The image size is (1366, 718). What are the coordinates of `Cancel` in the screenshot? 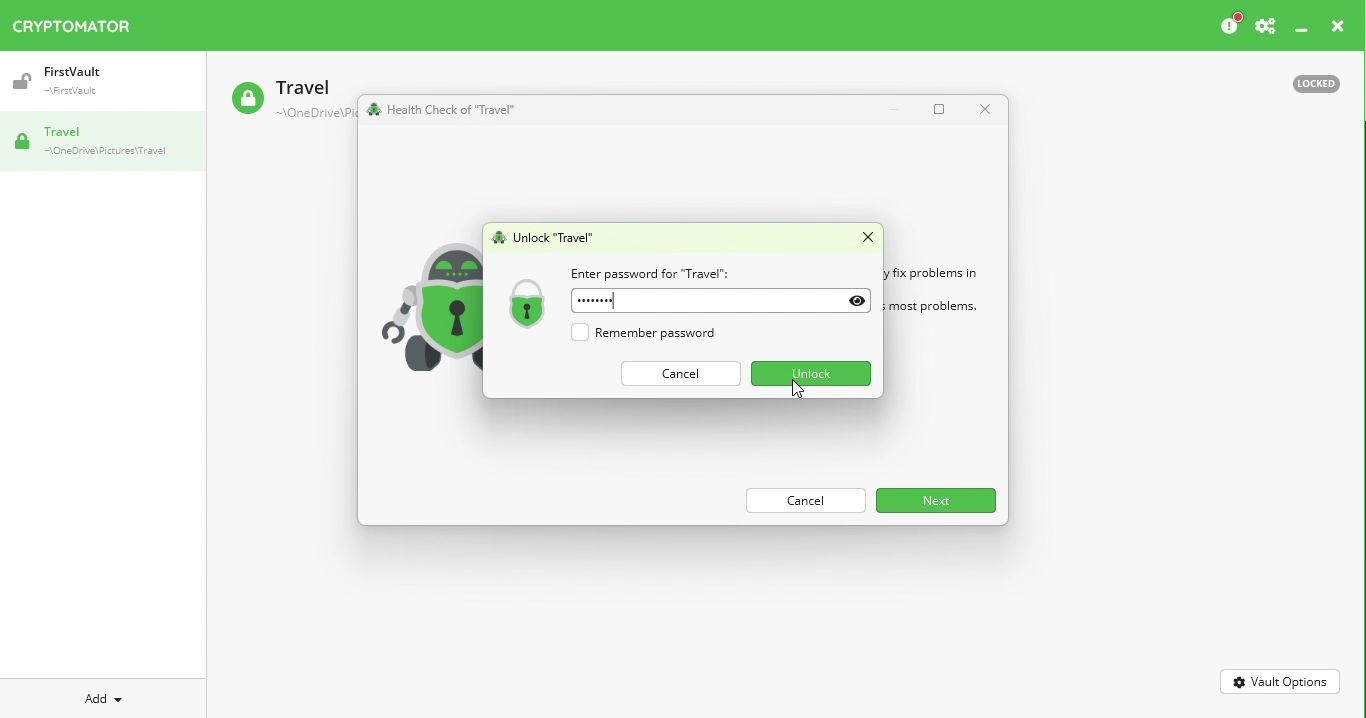 It's located at (679, 374).